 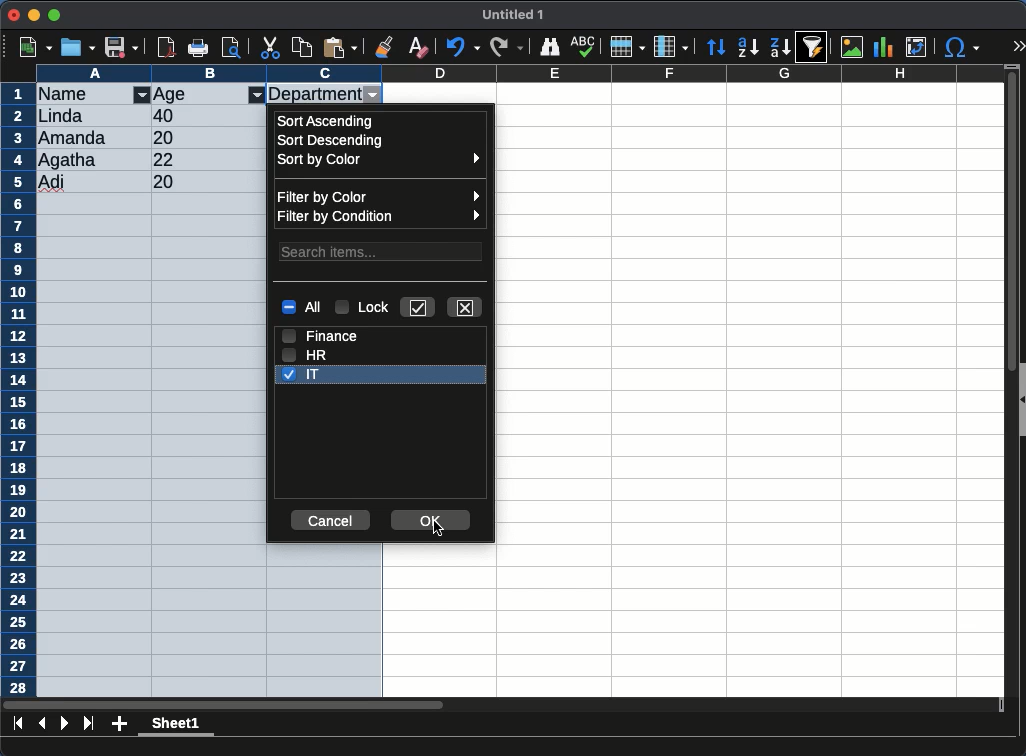 What do you see at coordinates (323, 334) in the screenshot?
I see `finance` at bounding box center [323, 334].